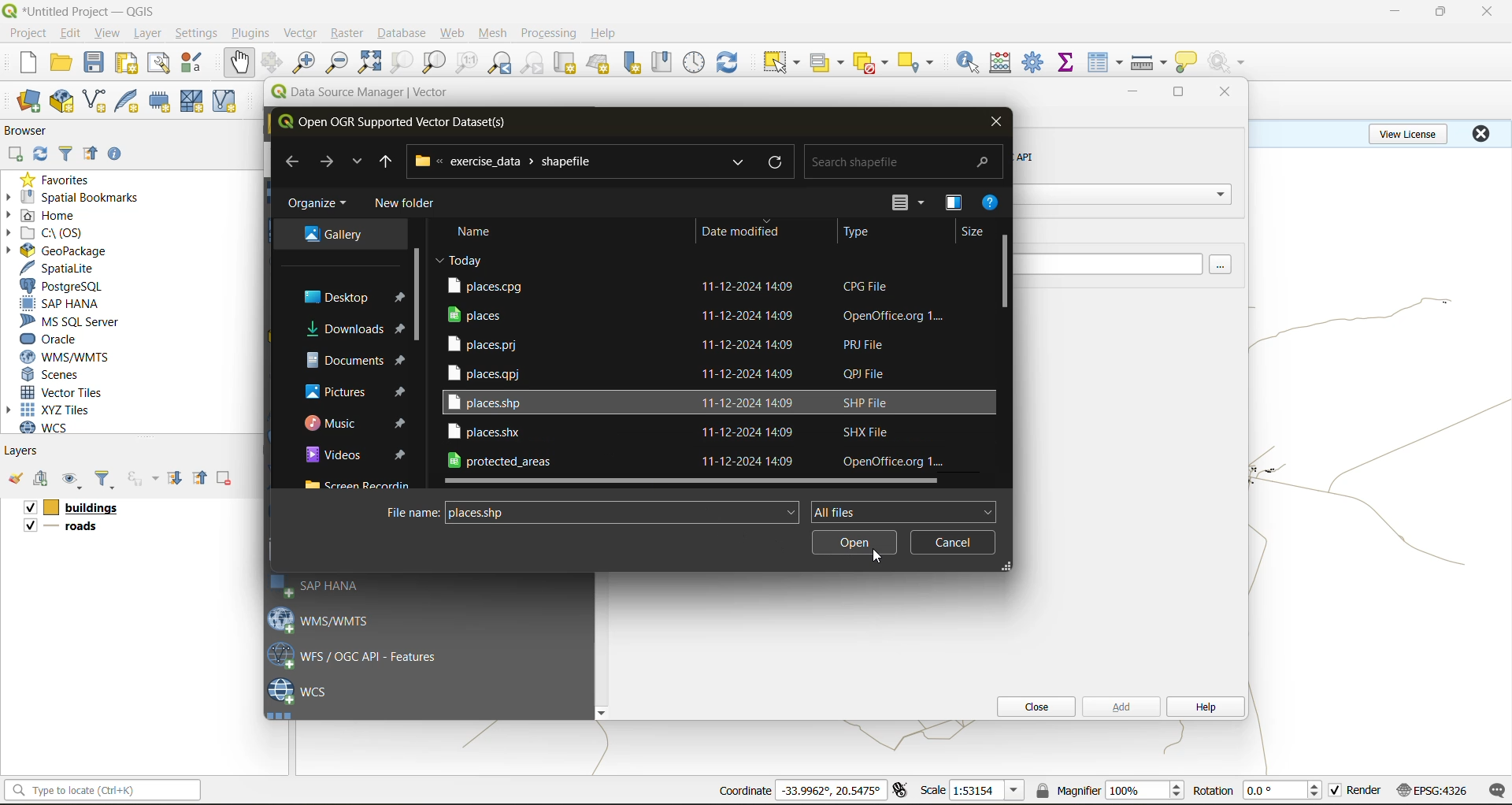 This screenshot has width=1512, height=805. What do you see at coordinates (858, 233) in the screenshot?
I see `type` at bounding box center [858, 233].